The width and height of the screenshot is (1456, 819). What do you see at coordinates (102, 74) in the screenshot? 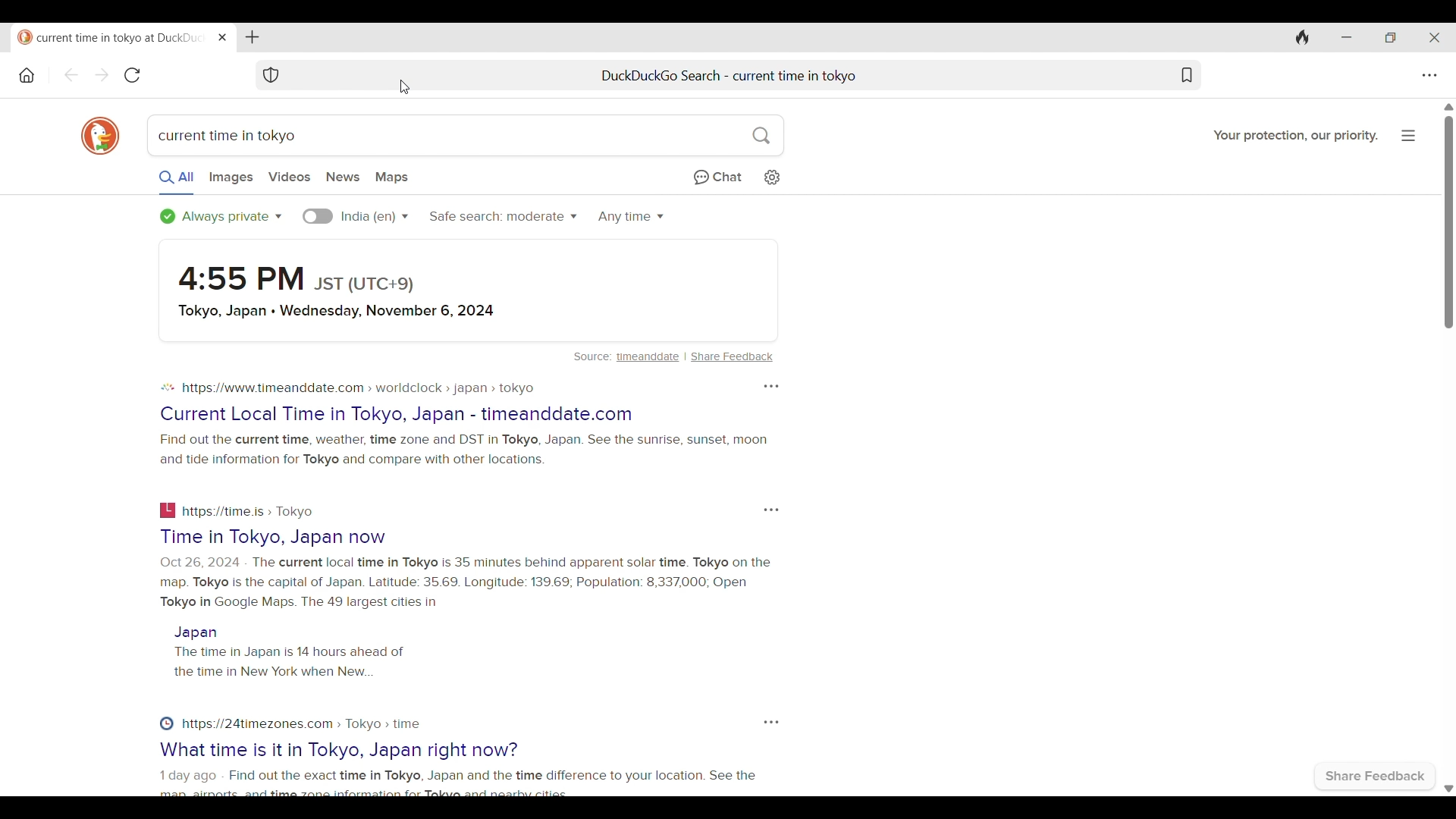
I see `Go forward` at bounding box center [102, 74].